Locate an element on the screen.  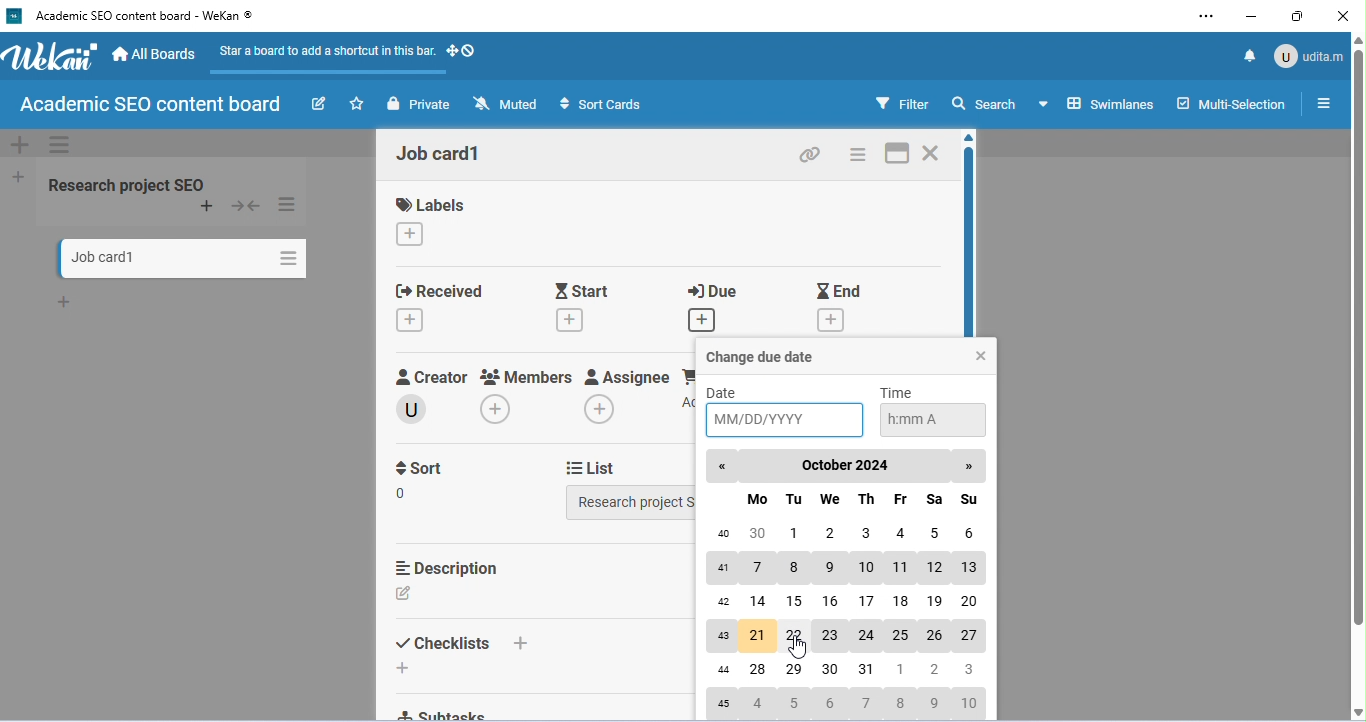
add card to top of list is located at coordinates (210, 207).